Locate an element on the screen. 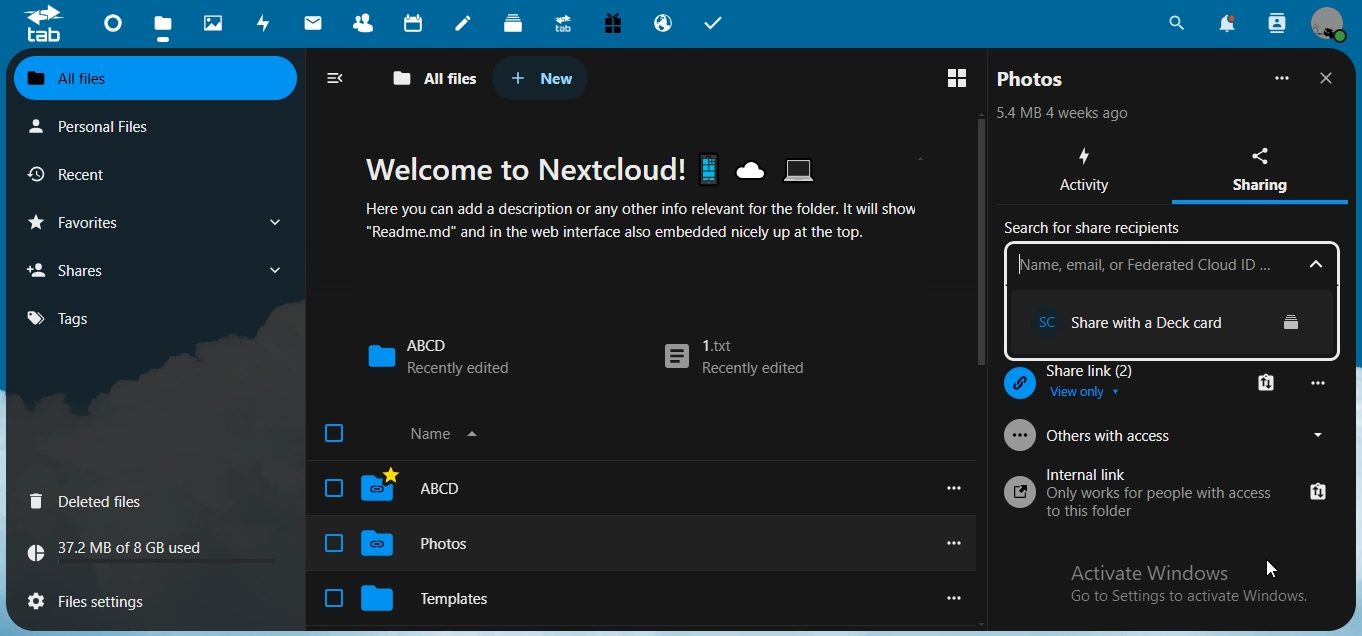  show grid view is located at coordinates (961, 76).